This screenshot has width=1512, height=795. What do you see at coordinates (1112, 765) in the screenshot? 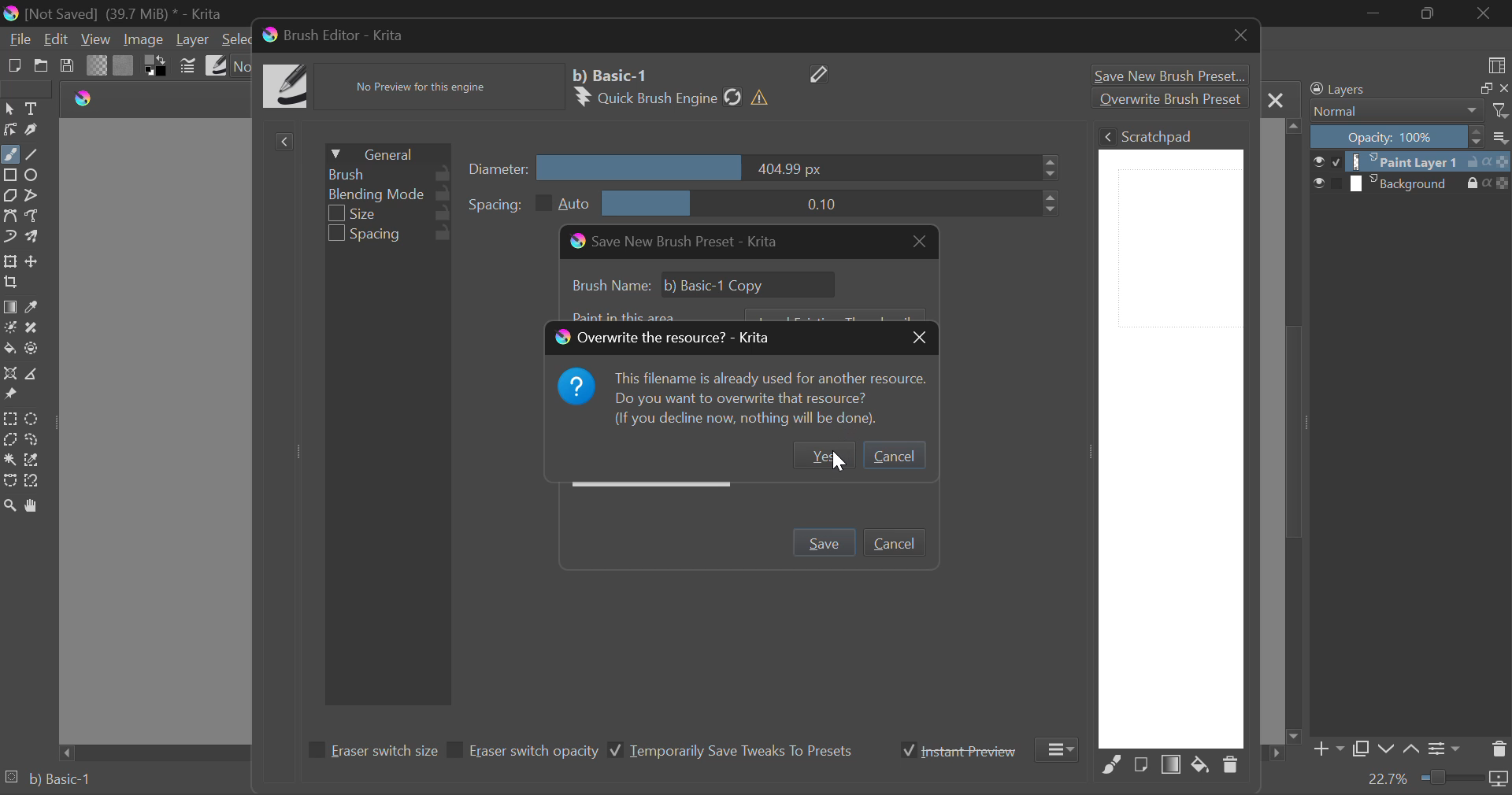
I see `Fill Area with Selected Brush Preset` at bounding box center [1112, 765].